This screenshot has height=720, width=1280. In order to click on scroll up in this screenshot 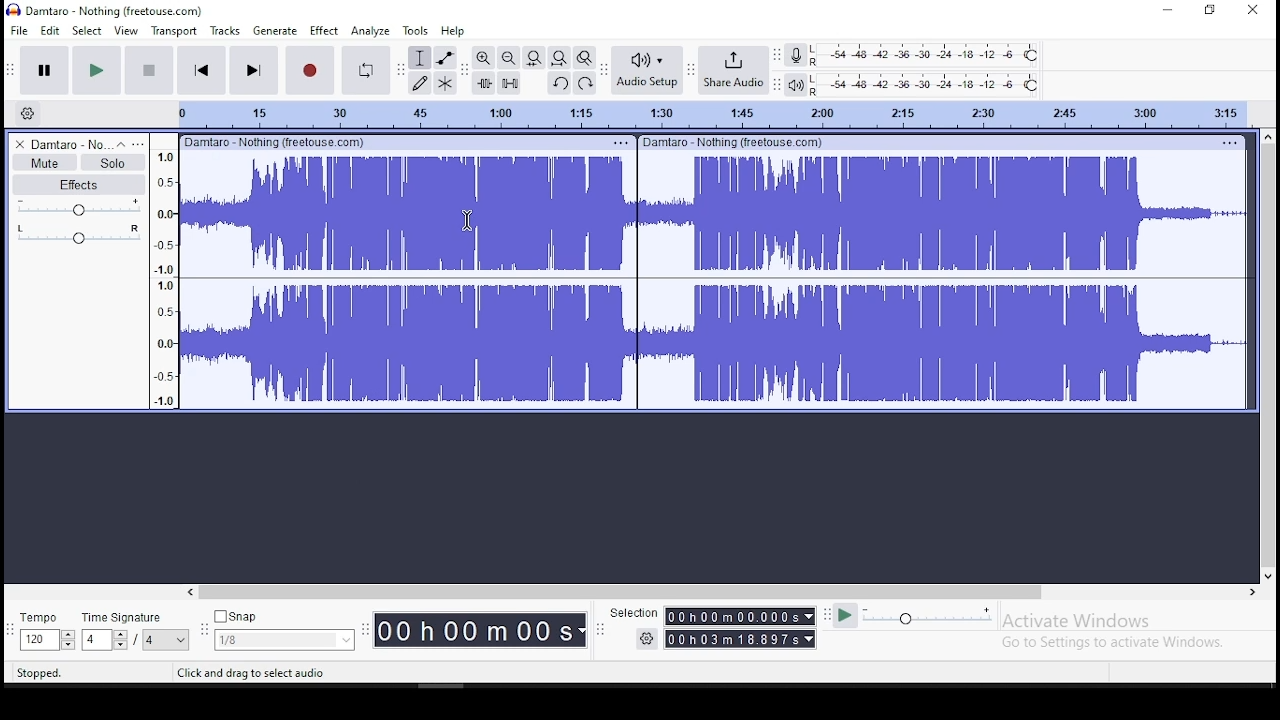, I will do `click(1270, 135)`.